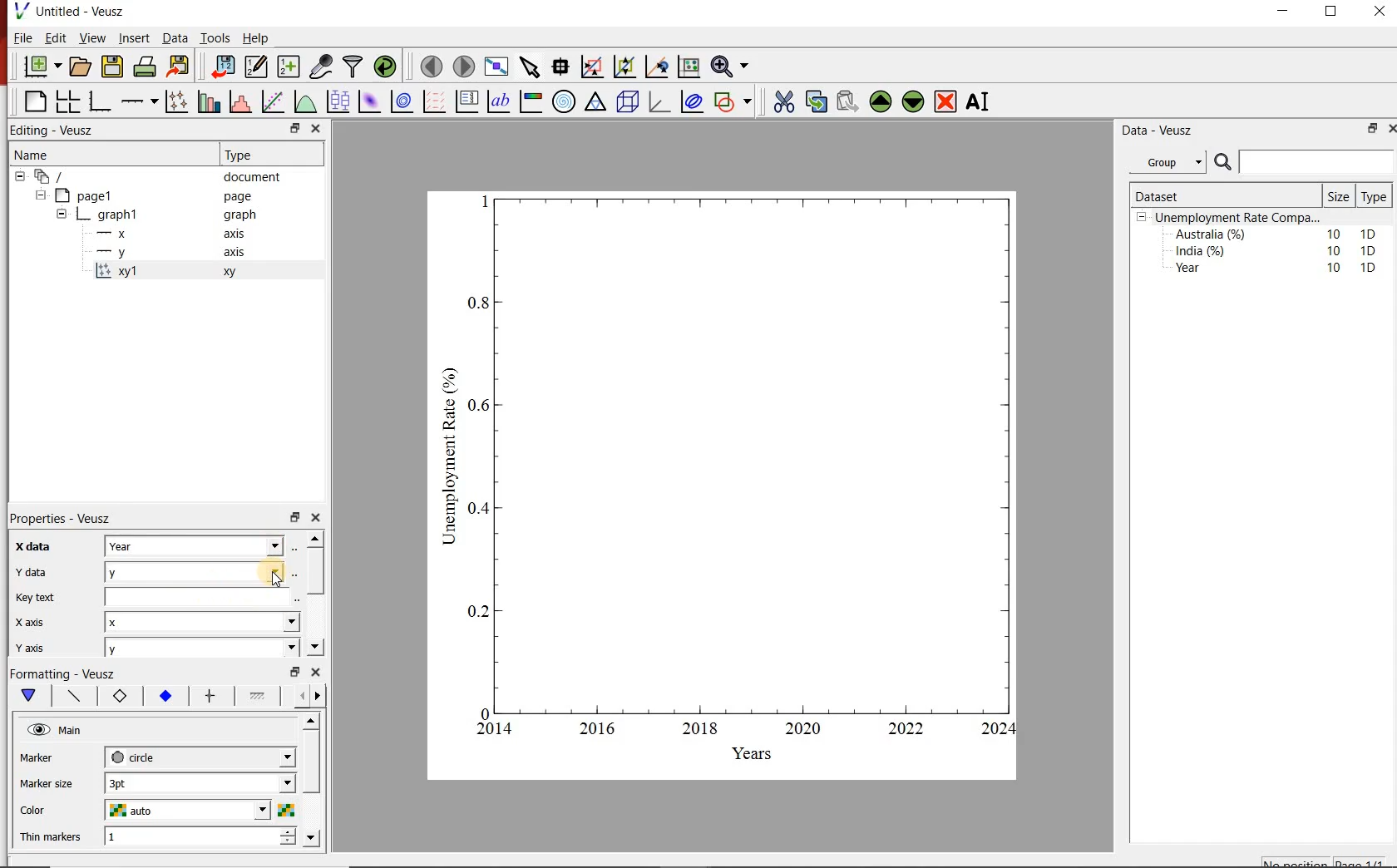 This screenshot has height=868, width=1397. I want to click on create new datasets, so click(288, 67).